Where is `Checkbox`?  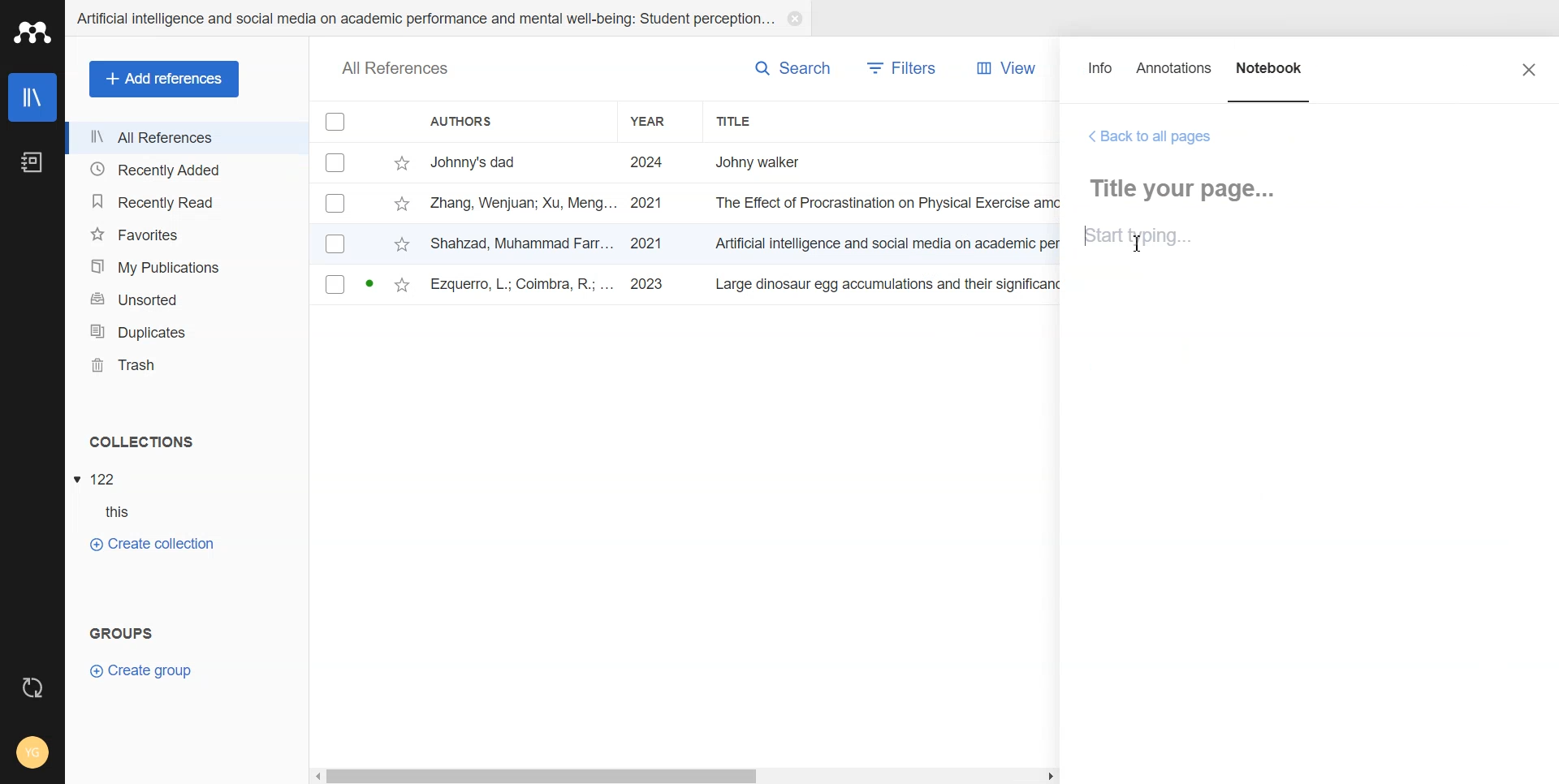
Checkbox is located at coordinates (336, 203).